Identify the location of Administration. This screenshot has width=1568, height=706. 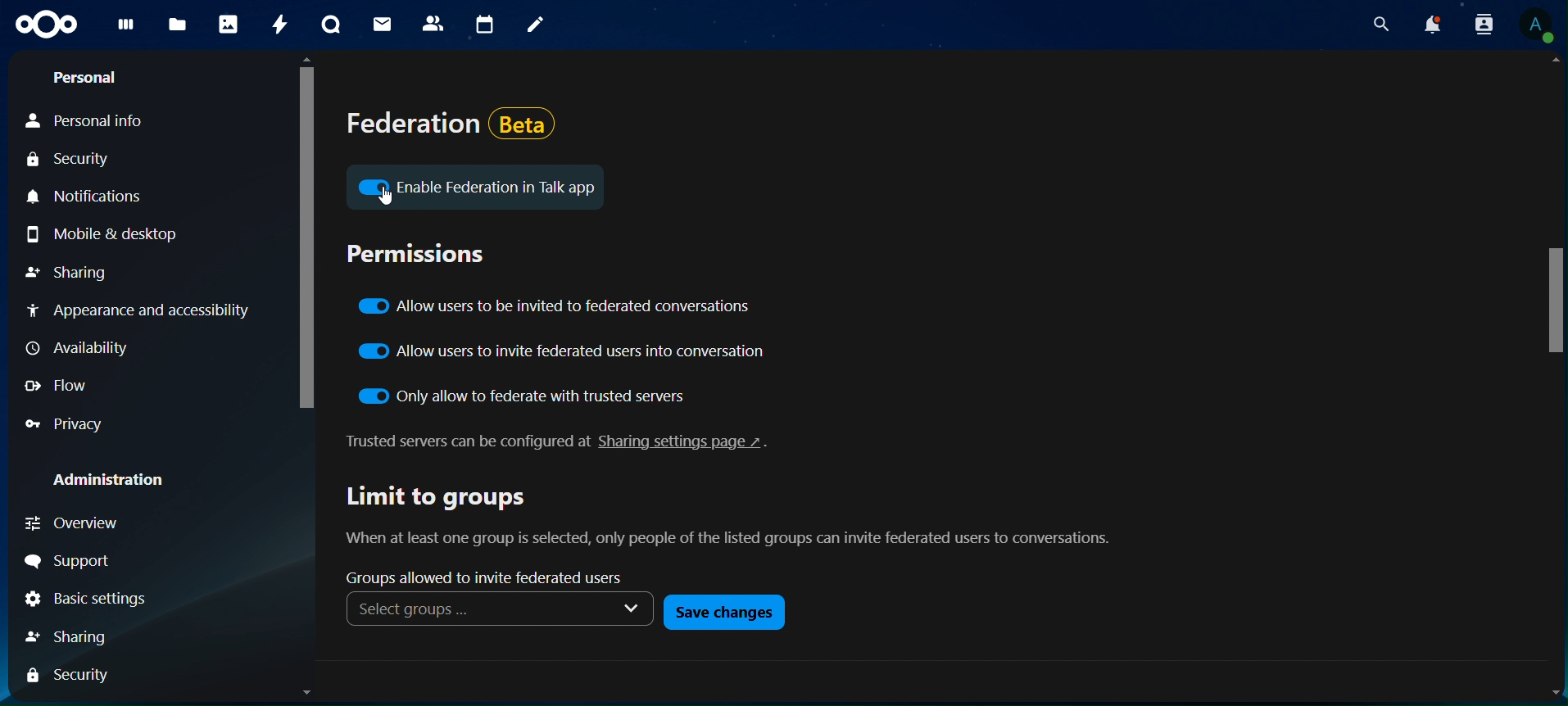
(103, 480).